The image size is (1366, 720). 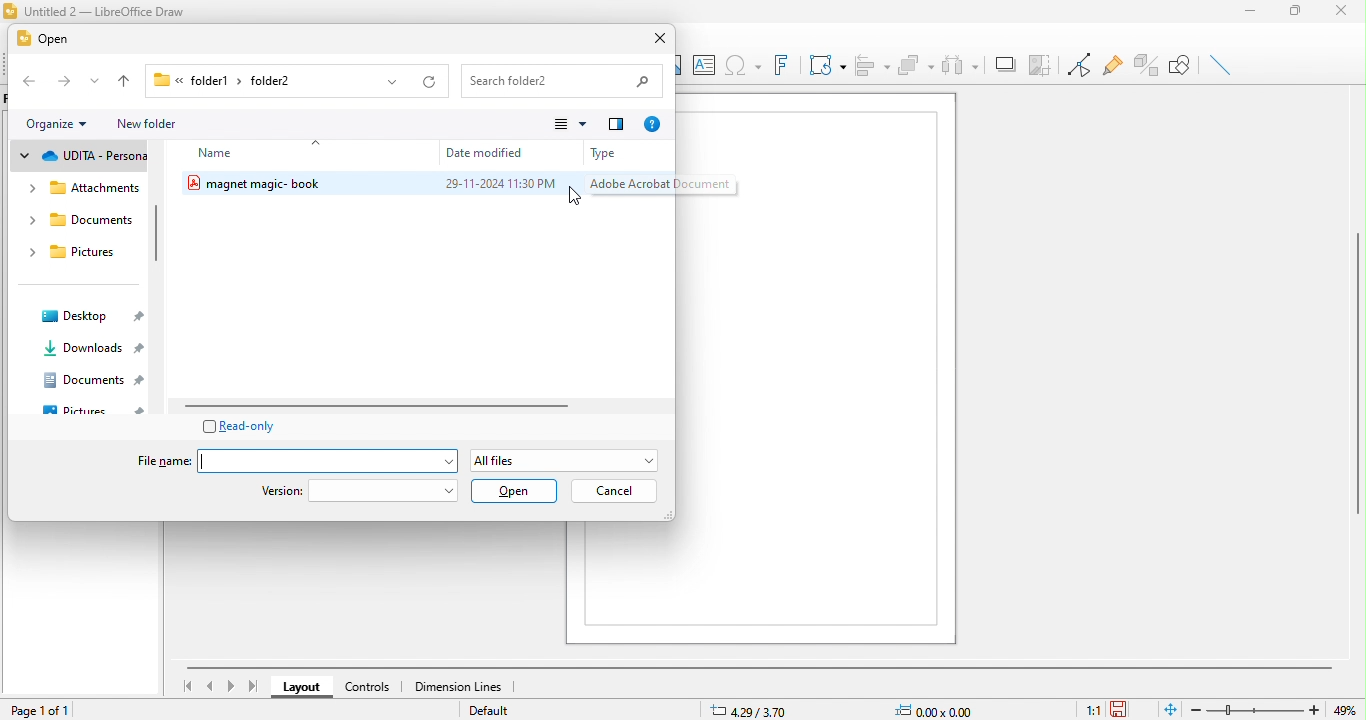 I want to click on adobe acrobat document, so click(x=657, y=186).